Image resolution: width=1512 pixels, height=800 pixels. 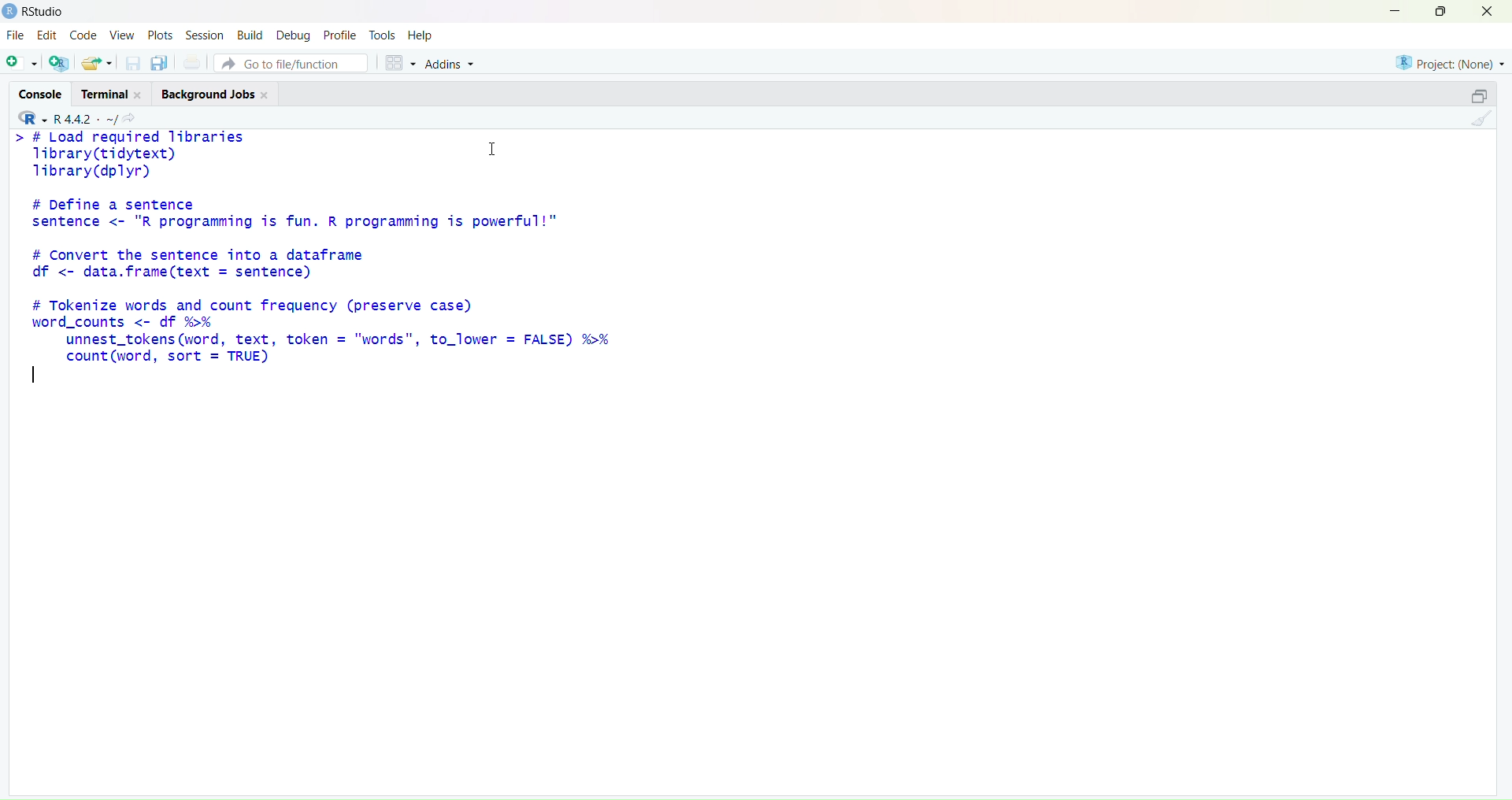 What do you see at coordinates (339, 36) in the screenshot?
I see `profile` at bounding box center [339, 36].